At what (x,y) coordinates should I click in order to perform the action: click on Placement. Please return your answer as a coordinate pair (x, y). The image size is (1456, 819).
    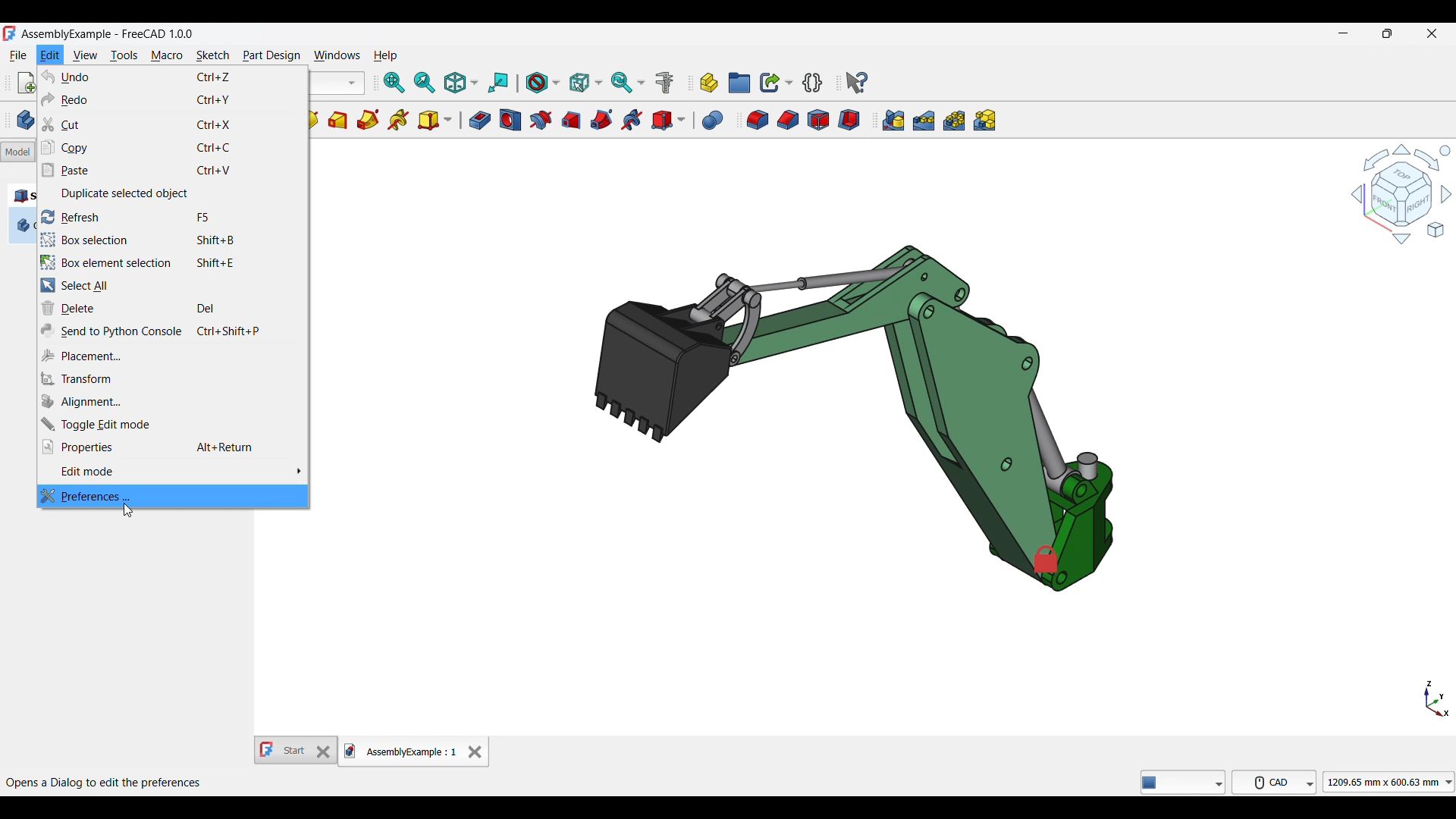
    Looking at the image, I should click on (173, 355).